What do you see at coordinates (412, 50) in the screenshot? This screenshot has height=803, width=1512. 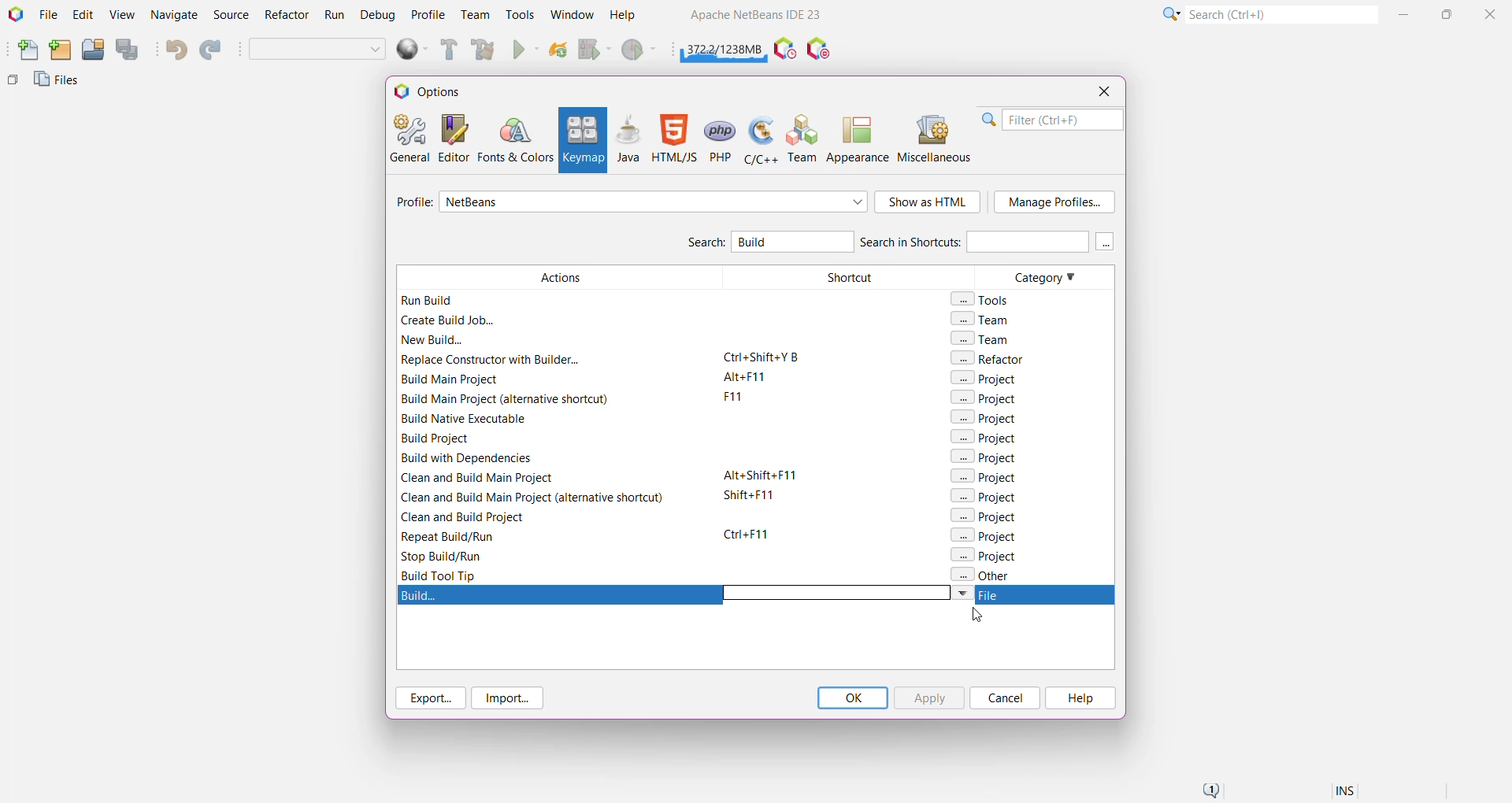 I see `` at bounding box center [412, 50].